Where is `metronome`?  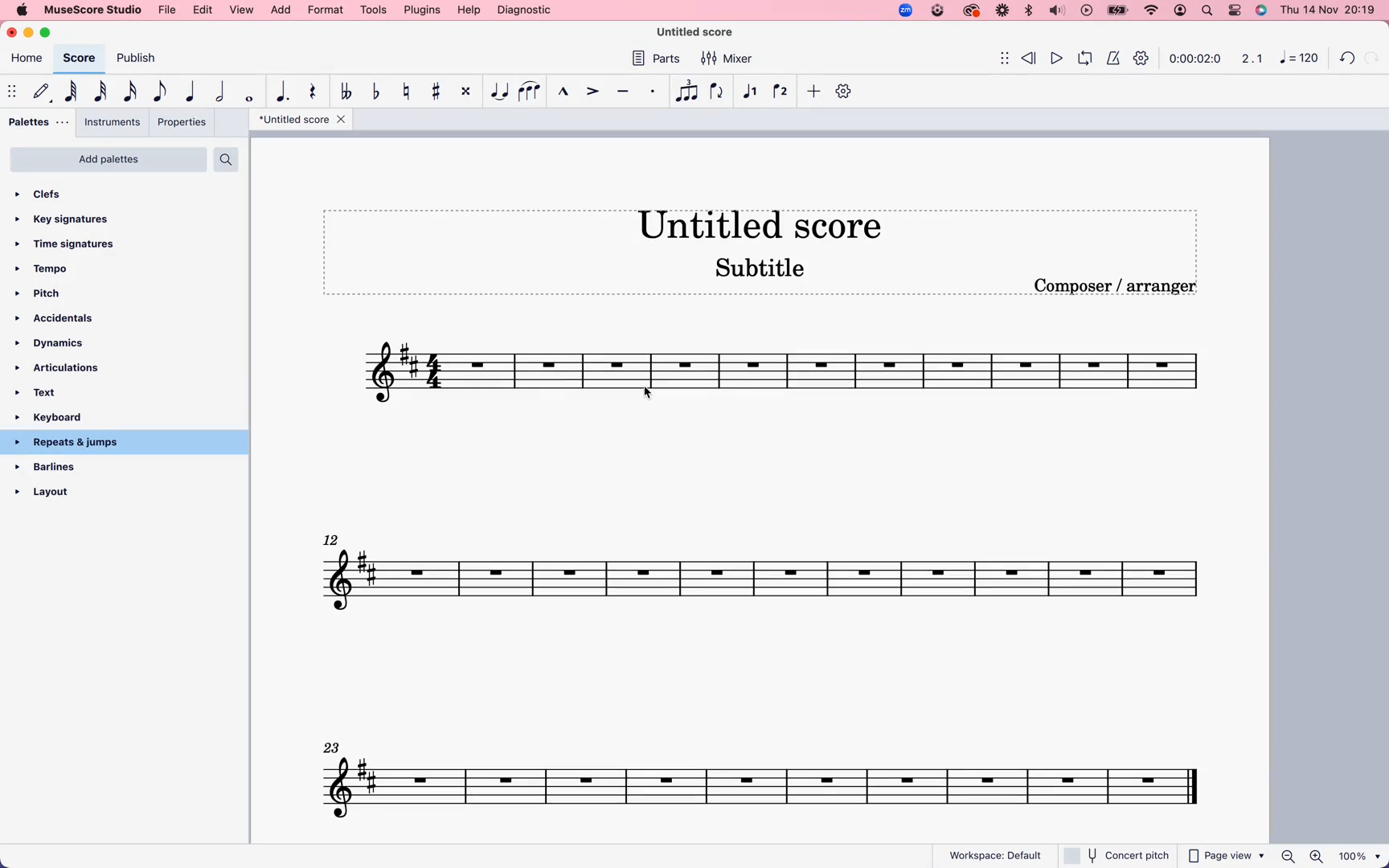
metronome is located at coordinates (1112, 57).